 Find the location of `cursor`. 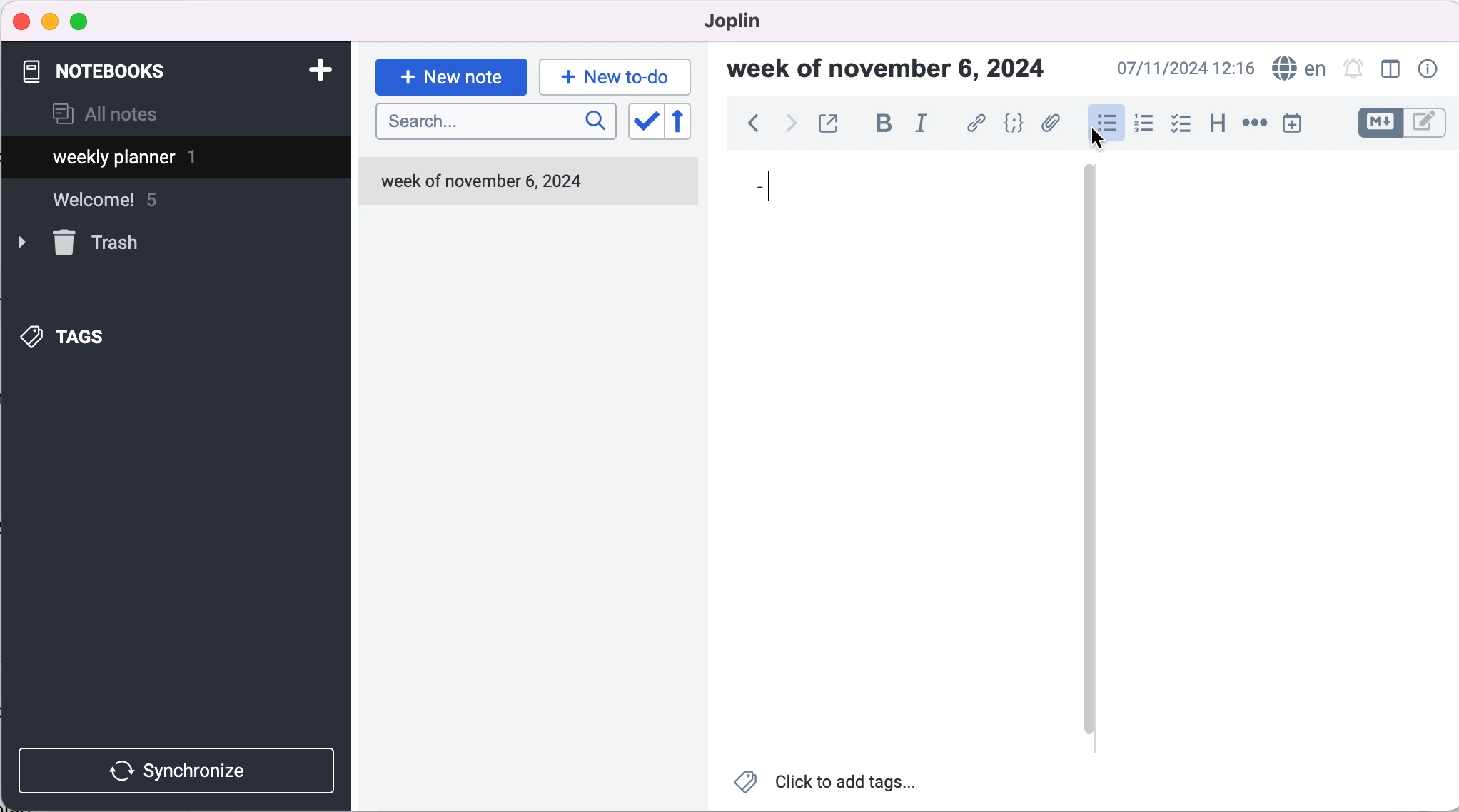

cursor is located at coordinates (1102, 138).